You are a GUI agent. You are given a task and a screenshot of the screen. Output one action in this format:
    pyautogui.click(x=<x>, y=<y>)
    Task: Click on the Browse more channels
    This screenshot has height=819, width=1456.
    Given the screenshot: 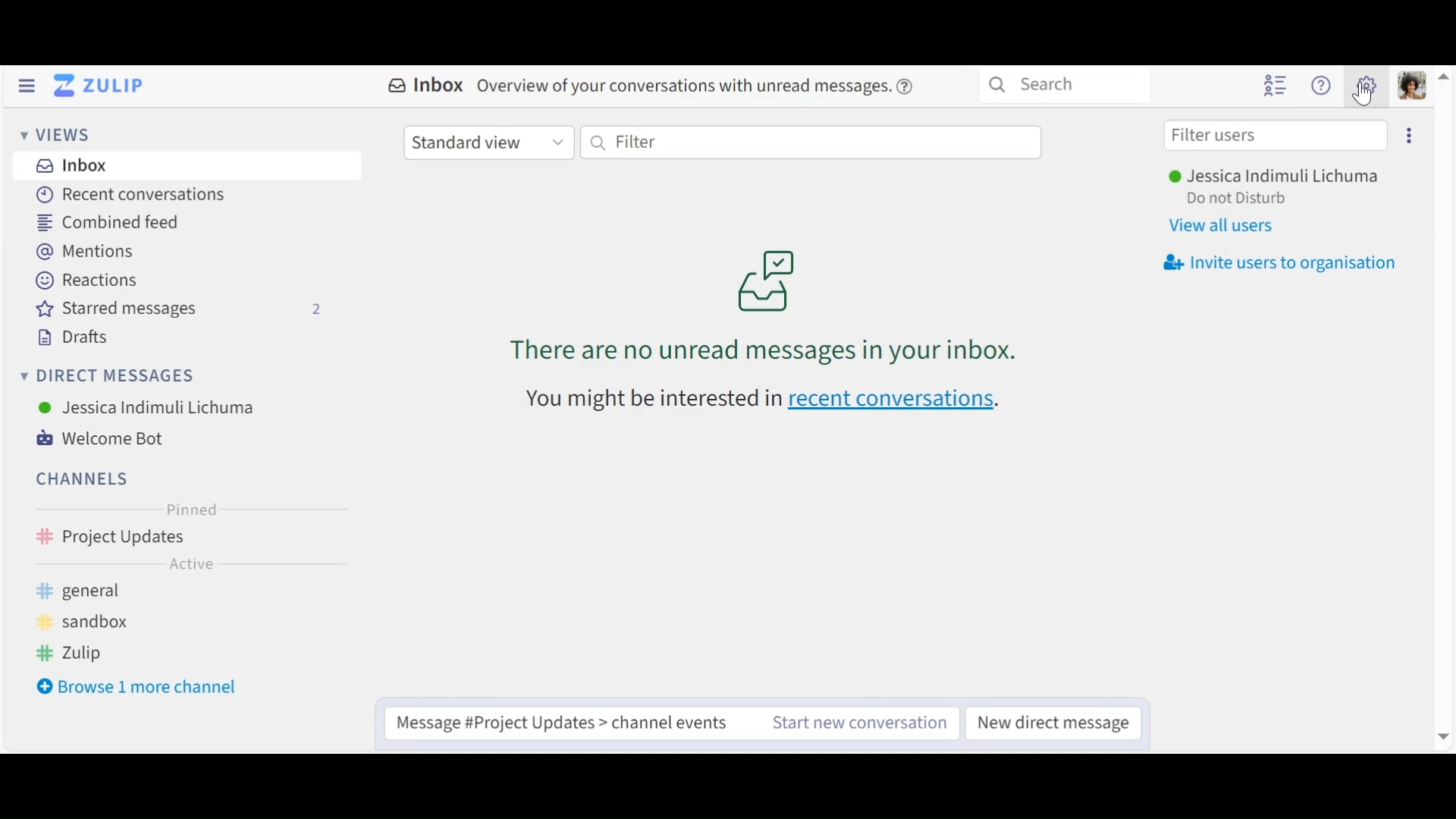 What is the action you would take?
    pyautogui.click(x=137, y=687)
    